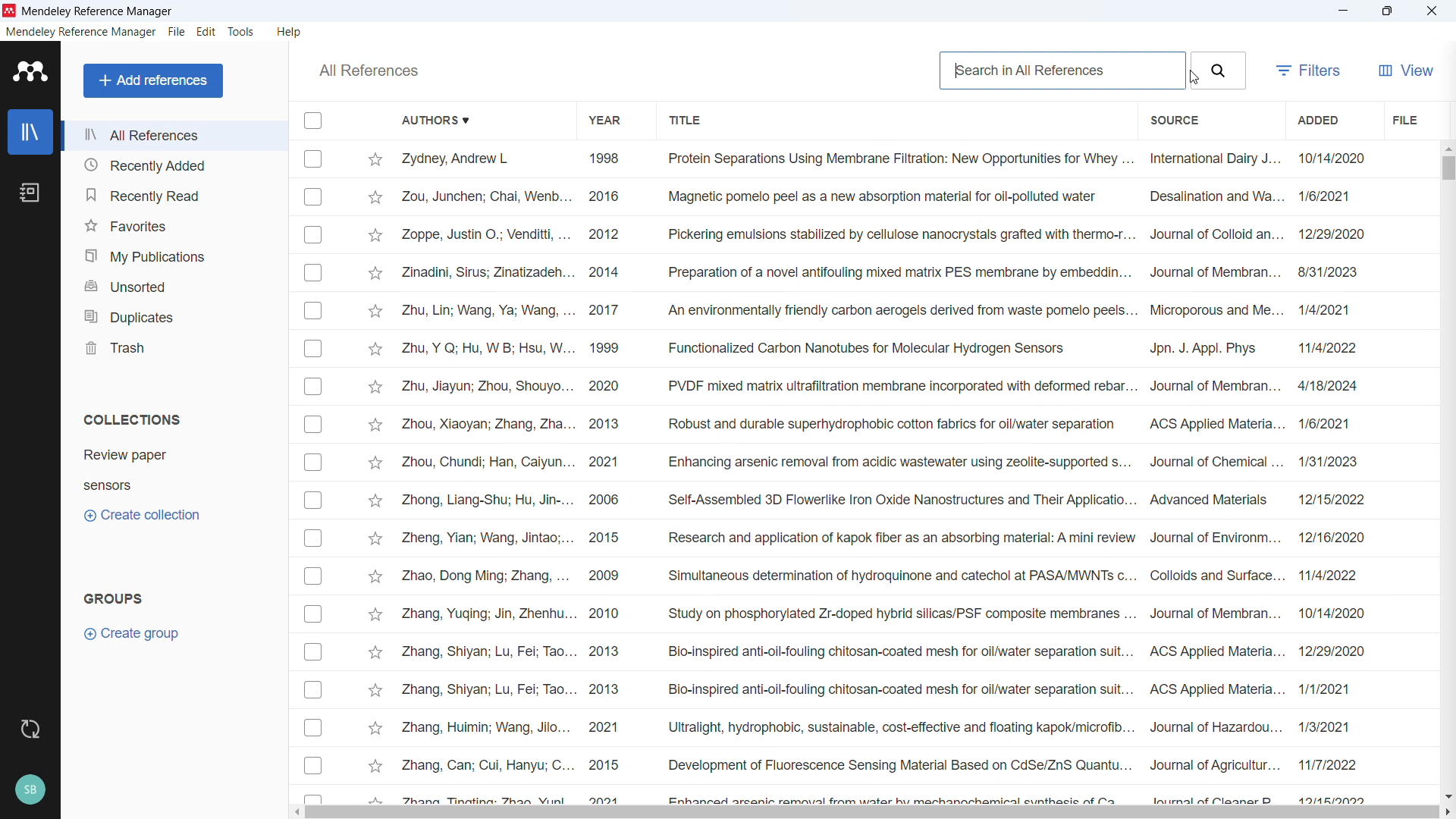  What do you see at coordinates (294, 812) in the screenshot?
I see `Scroll left ` at bounding box center [294, 812].